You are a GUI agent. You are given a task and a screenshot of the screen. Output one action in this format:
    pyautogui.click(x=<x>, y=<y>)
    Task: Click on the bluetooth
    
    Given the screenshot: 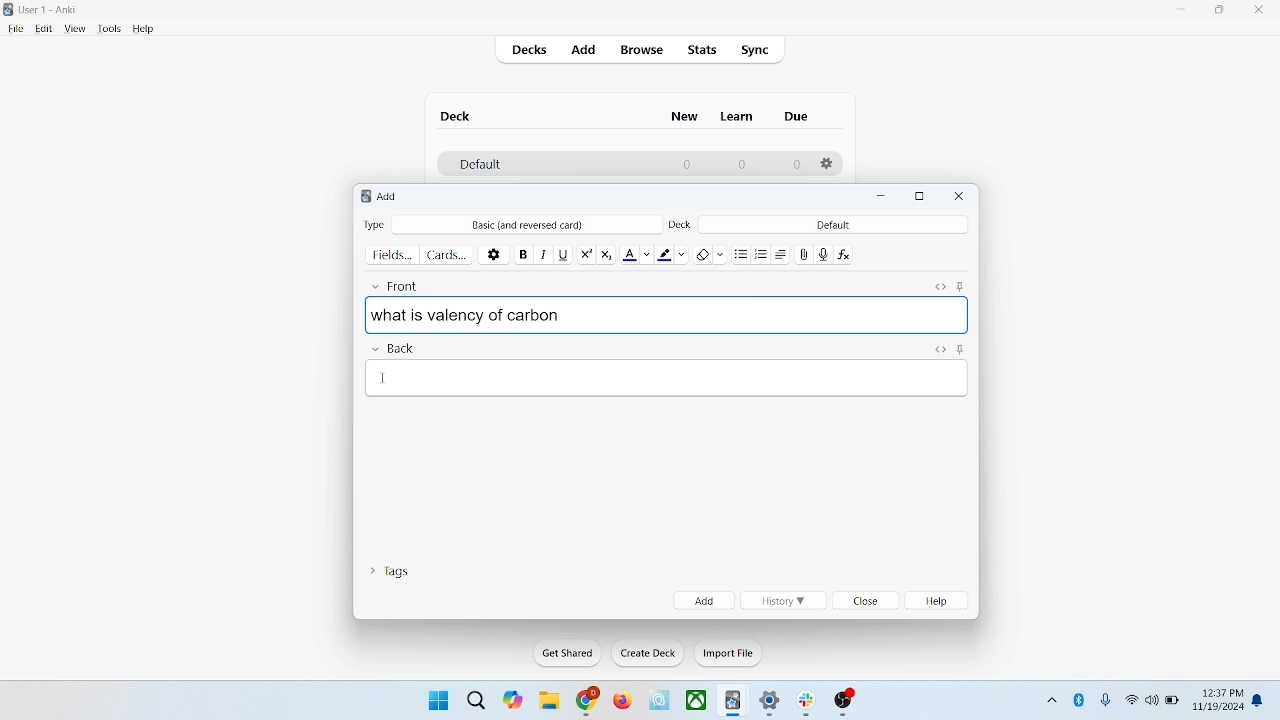 What is the action you would take?
    pyautogui.click(x=1080, y=699)
    